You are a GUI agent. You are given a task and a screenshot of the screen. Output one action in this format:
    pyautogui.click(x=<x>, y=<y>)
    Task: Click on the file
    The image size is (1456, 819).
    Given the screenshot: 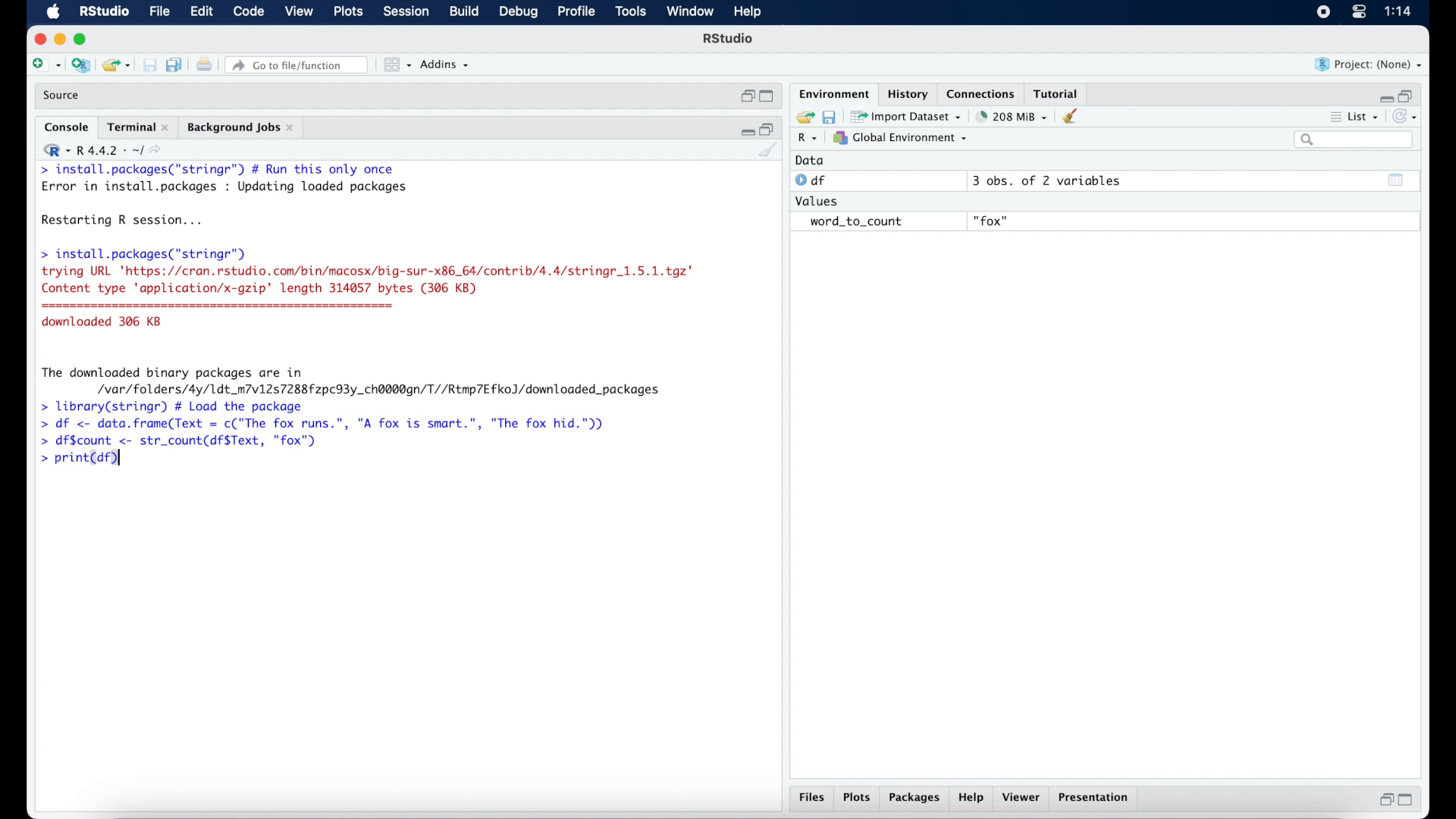 What is the action you would take?
    pyautogui.click(x=161, y=12)
    